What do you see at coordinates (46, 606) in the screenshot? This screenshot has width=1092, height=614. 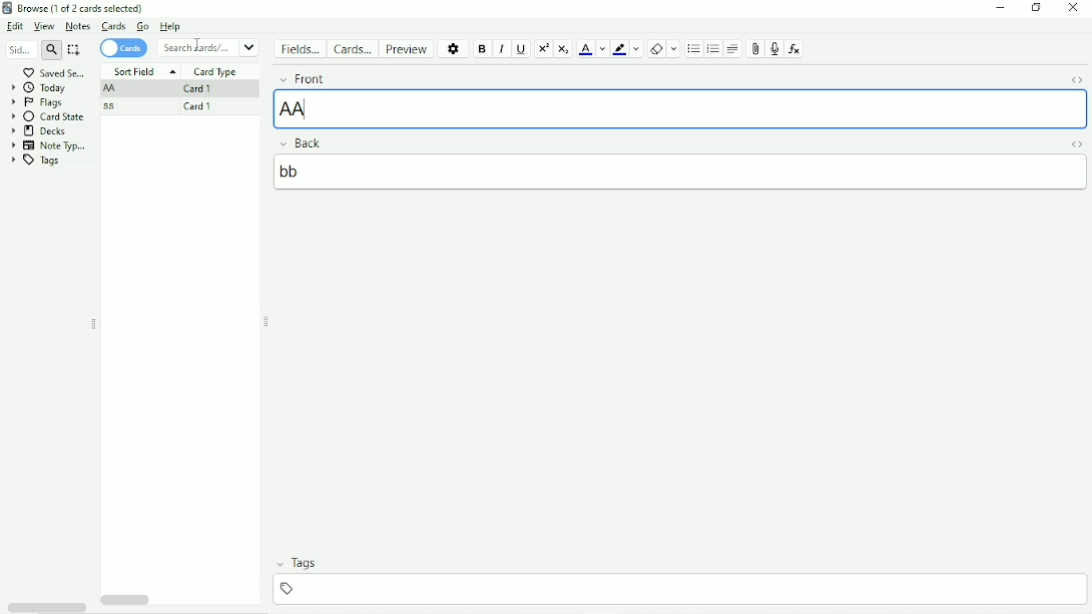 I see `Horizontal scrollbar` at bounding box center [46, 606].